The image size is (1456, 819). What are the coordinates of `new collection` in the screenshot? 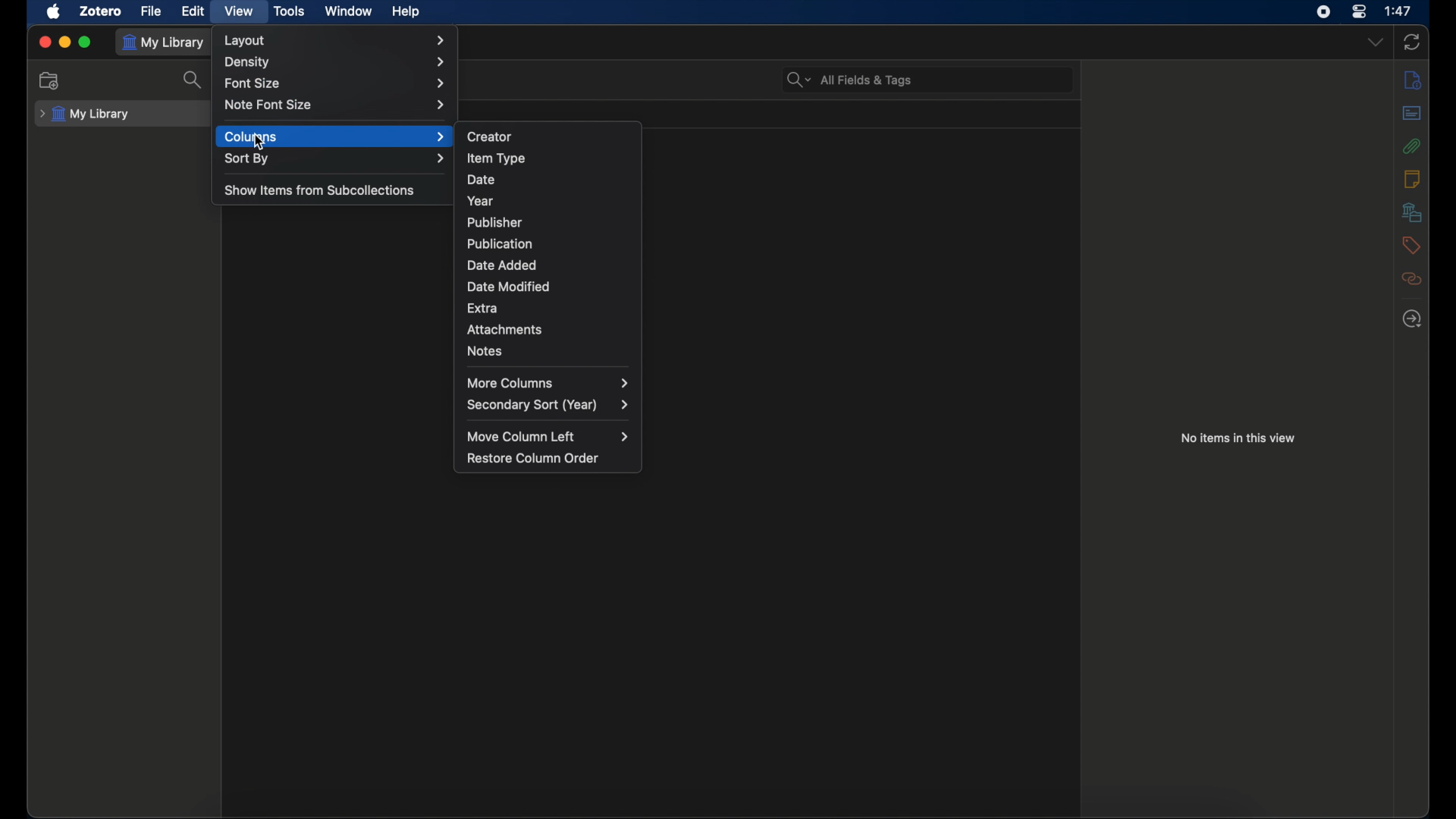 It's located at (51, 80).